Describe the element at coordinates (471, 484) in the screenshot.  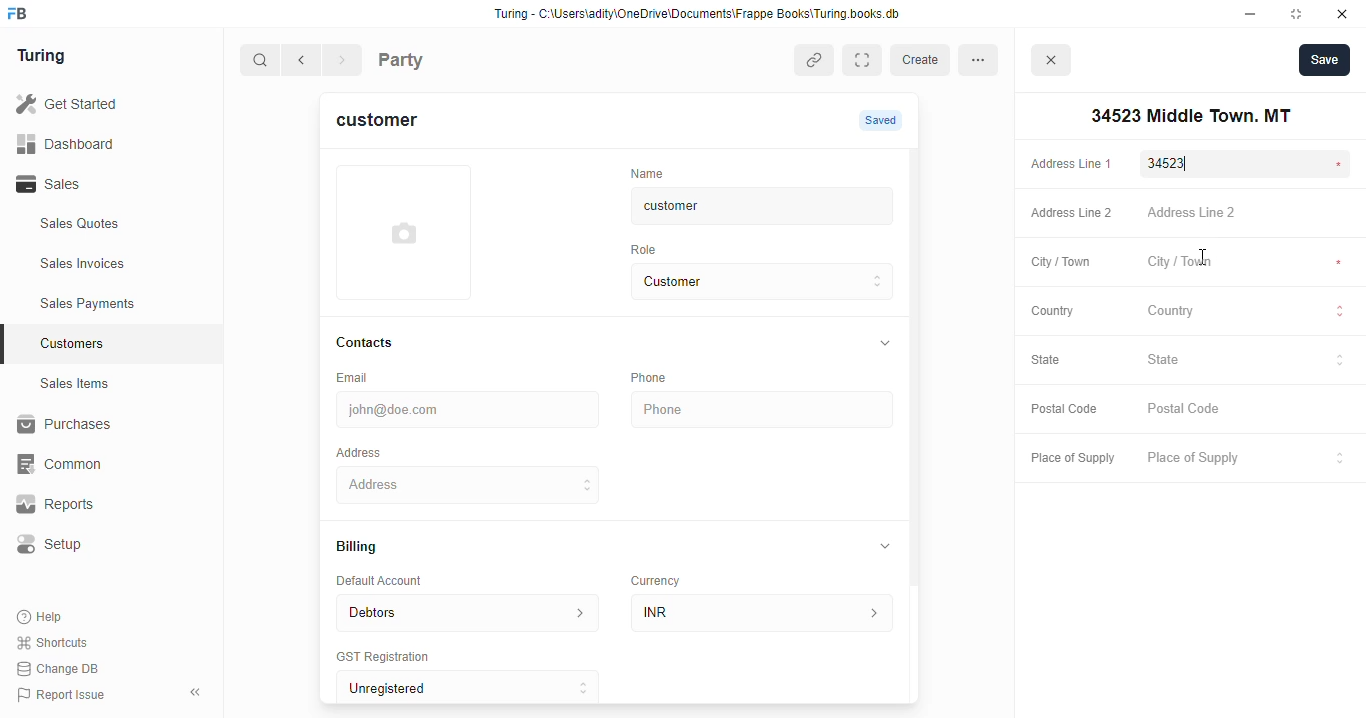
I see `34523 Middle Town. MT` at that location.